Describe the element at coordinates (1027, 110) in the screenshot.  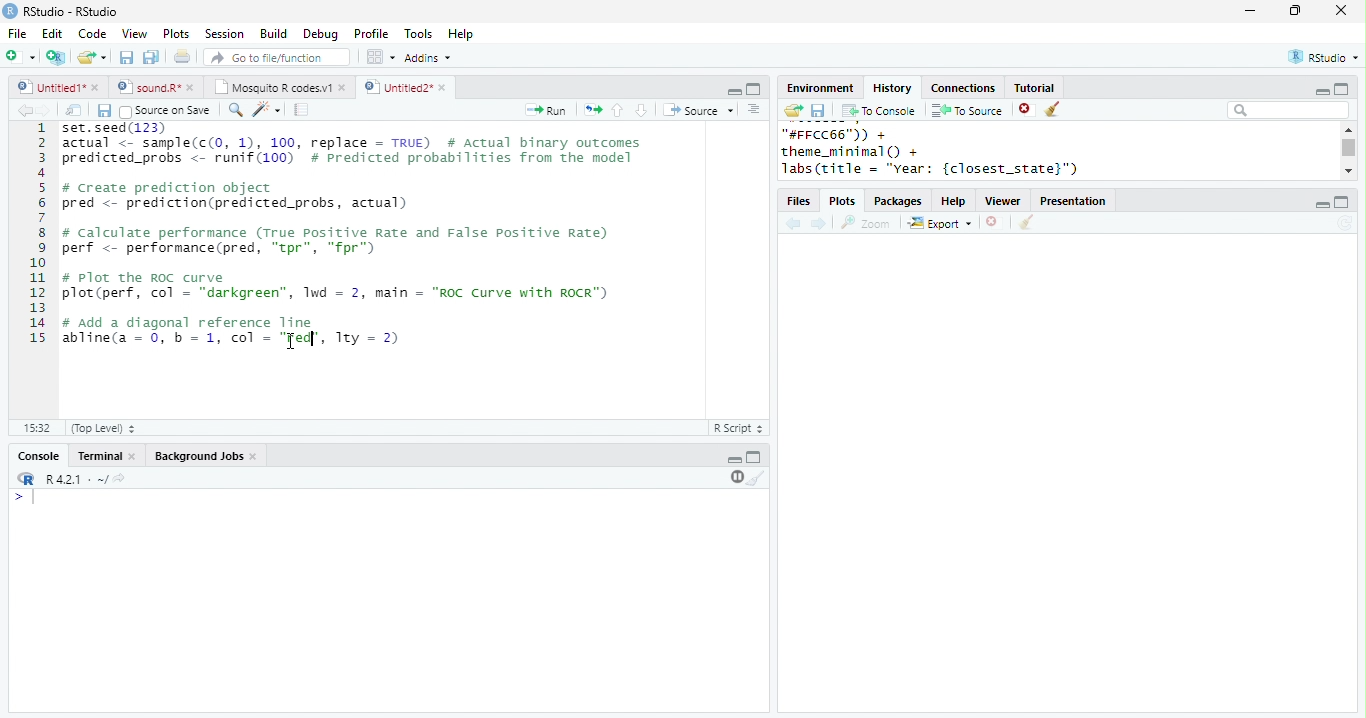
I see `close file` at that location.